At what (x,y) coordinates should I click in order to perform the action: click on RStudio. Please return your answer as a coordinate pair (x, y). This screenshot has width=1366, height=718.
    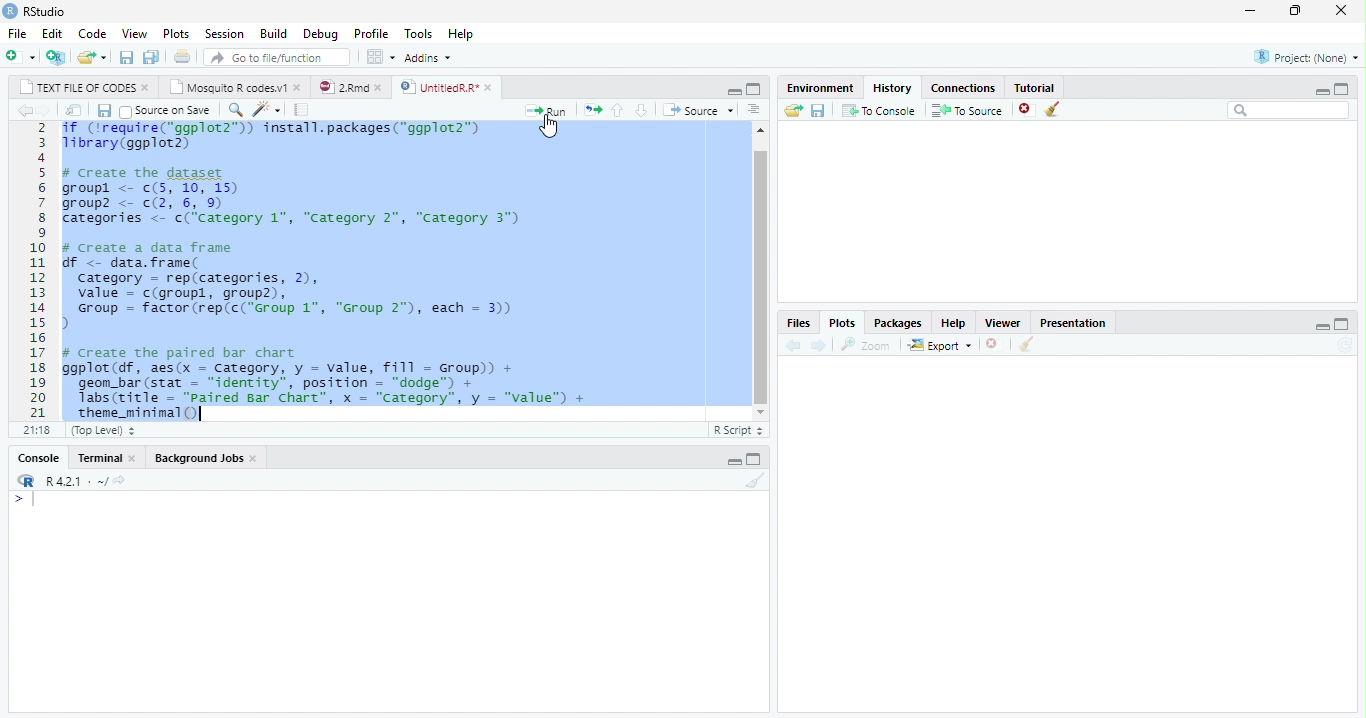
    Looking at the image, I should click on (47, 11).